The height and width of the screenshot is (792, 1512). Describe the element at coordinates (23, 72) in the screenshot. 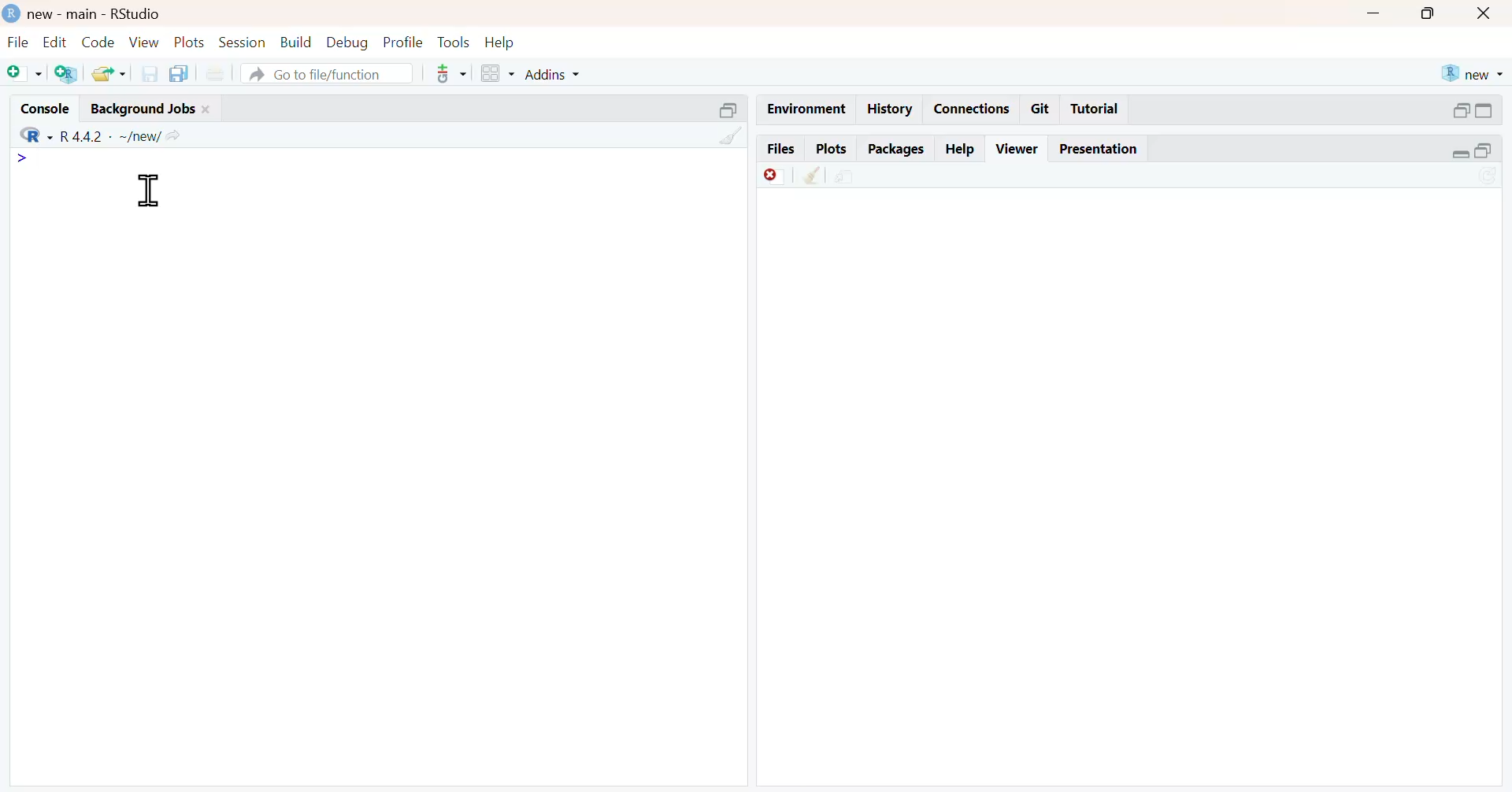

I see `new file` at that location.